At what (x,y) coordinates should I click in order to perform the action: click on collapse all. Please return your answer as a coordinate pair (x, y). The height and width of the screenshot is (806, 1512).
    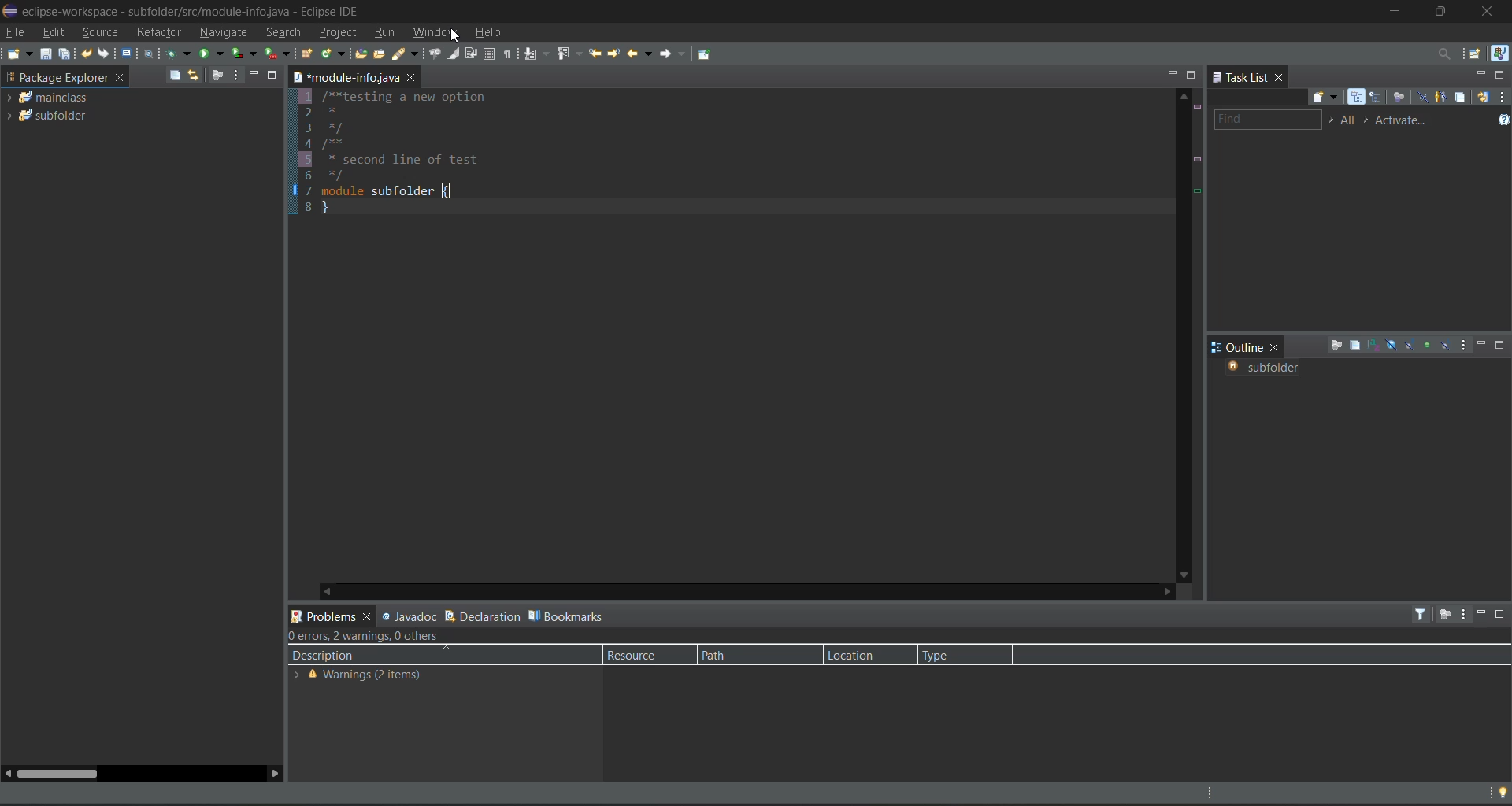
    Looking at the image, I should click on (1357, 346).